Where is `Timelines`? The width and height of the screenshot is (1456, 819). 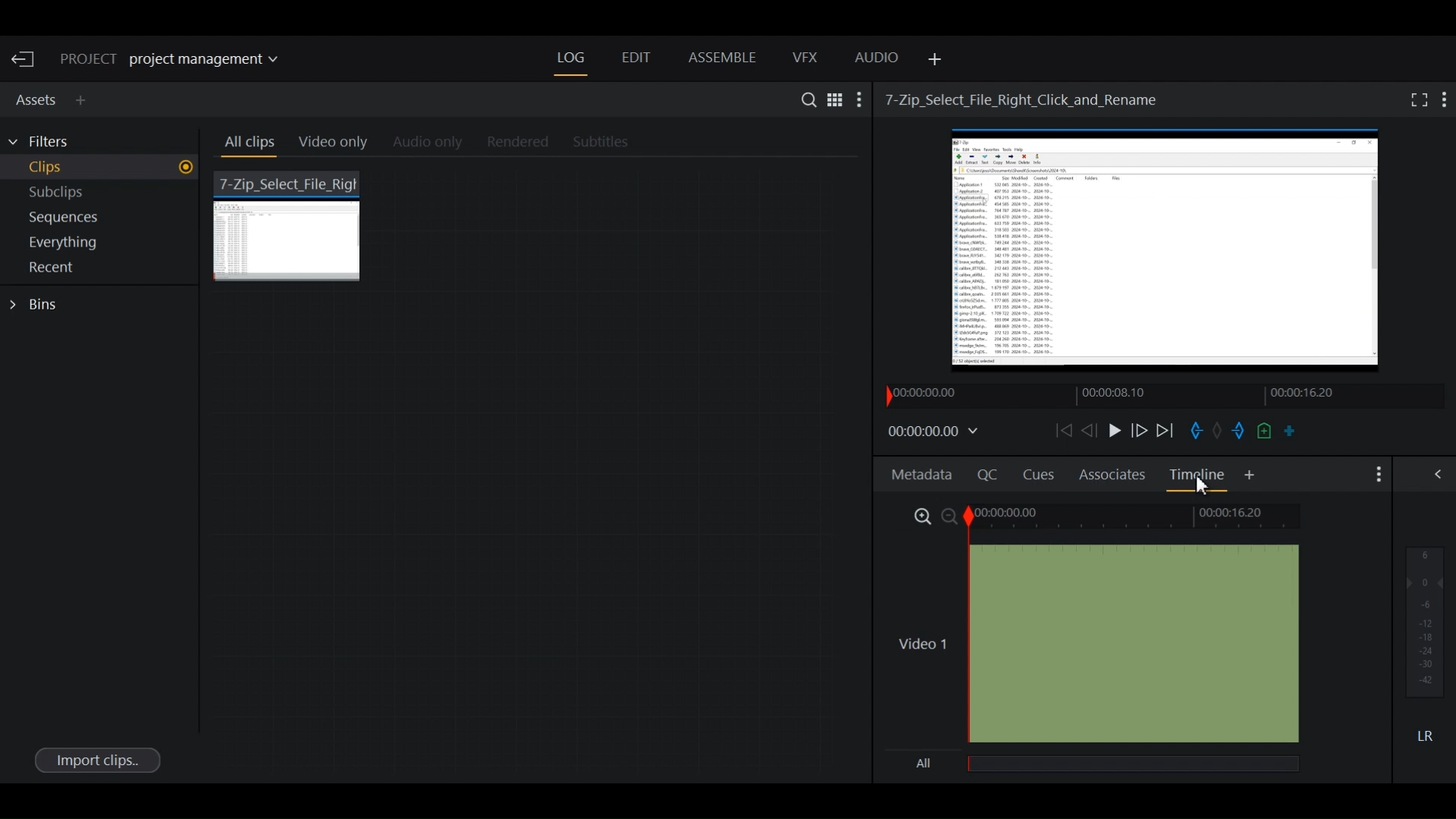 Timelines is located at coordinates (1199, 474).